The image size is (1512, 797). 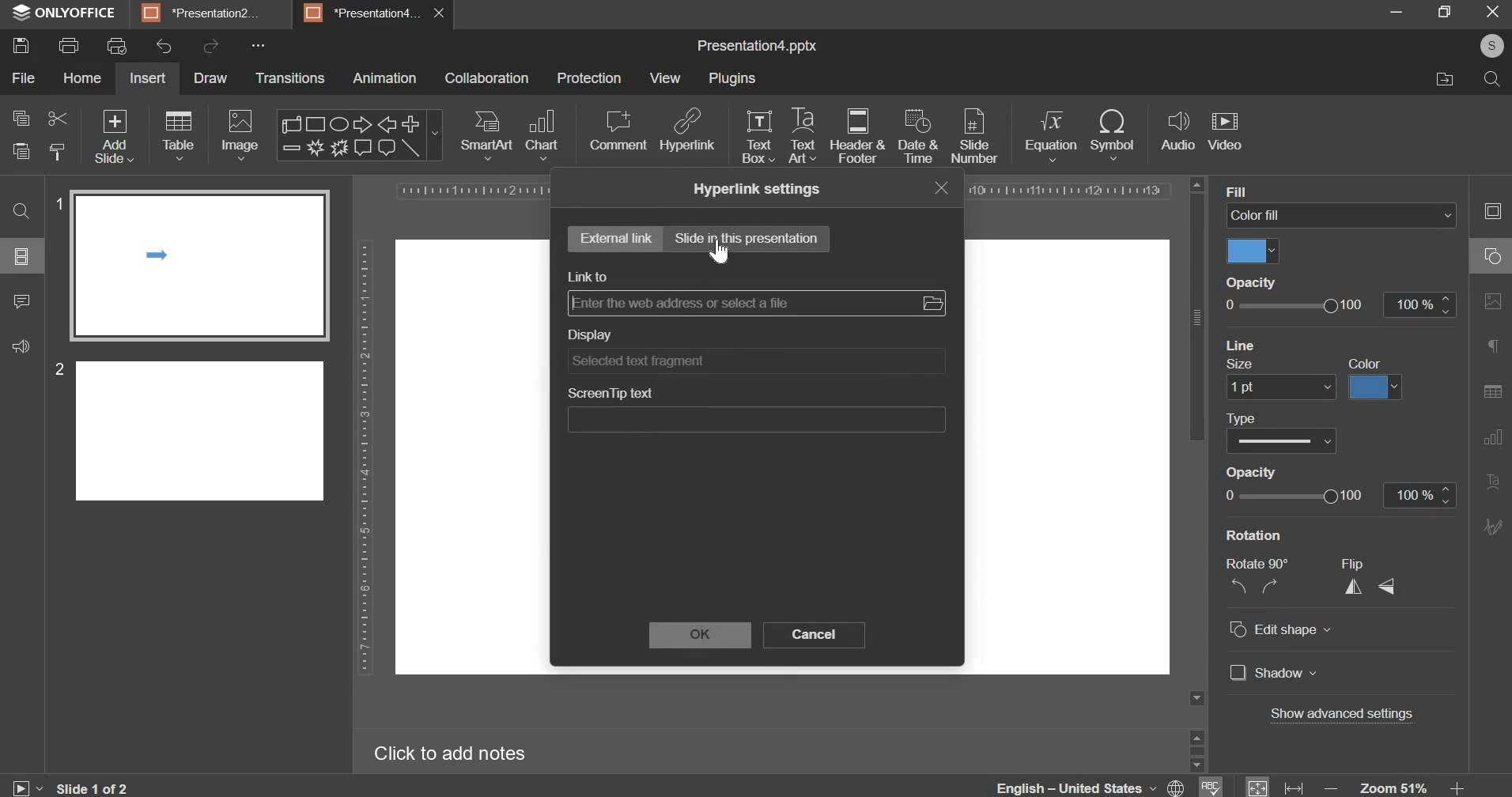 I want to click on text art, so click(x=800, y=136).